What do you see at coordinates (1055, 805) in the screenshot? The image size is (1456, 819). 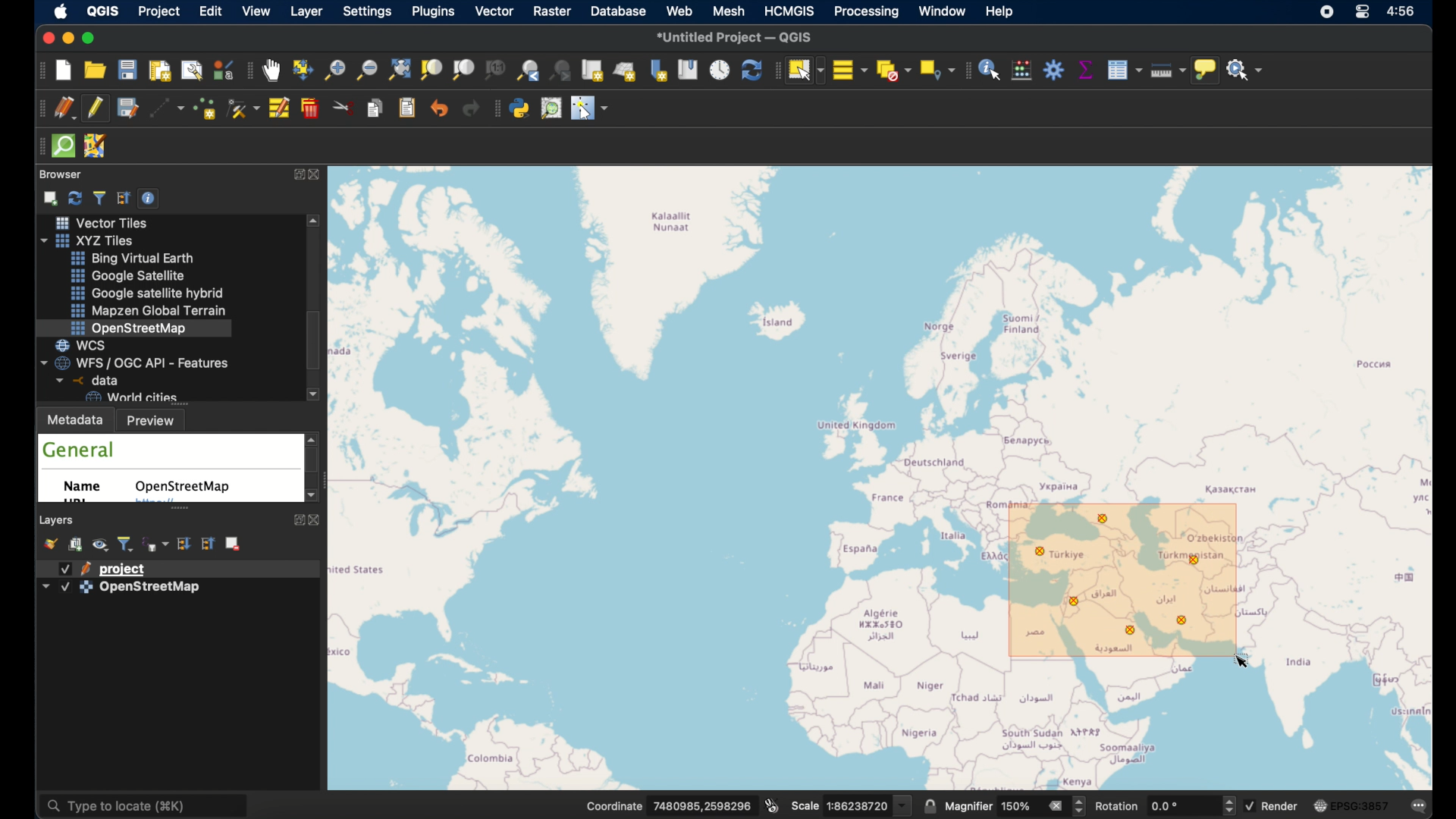 I see `clear value` at bounding box center [1055, 805].